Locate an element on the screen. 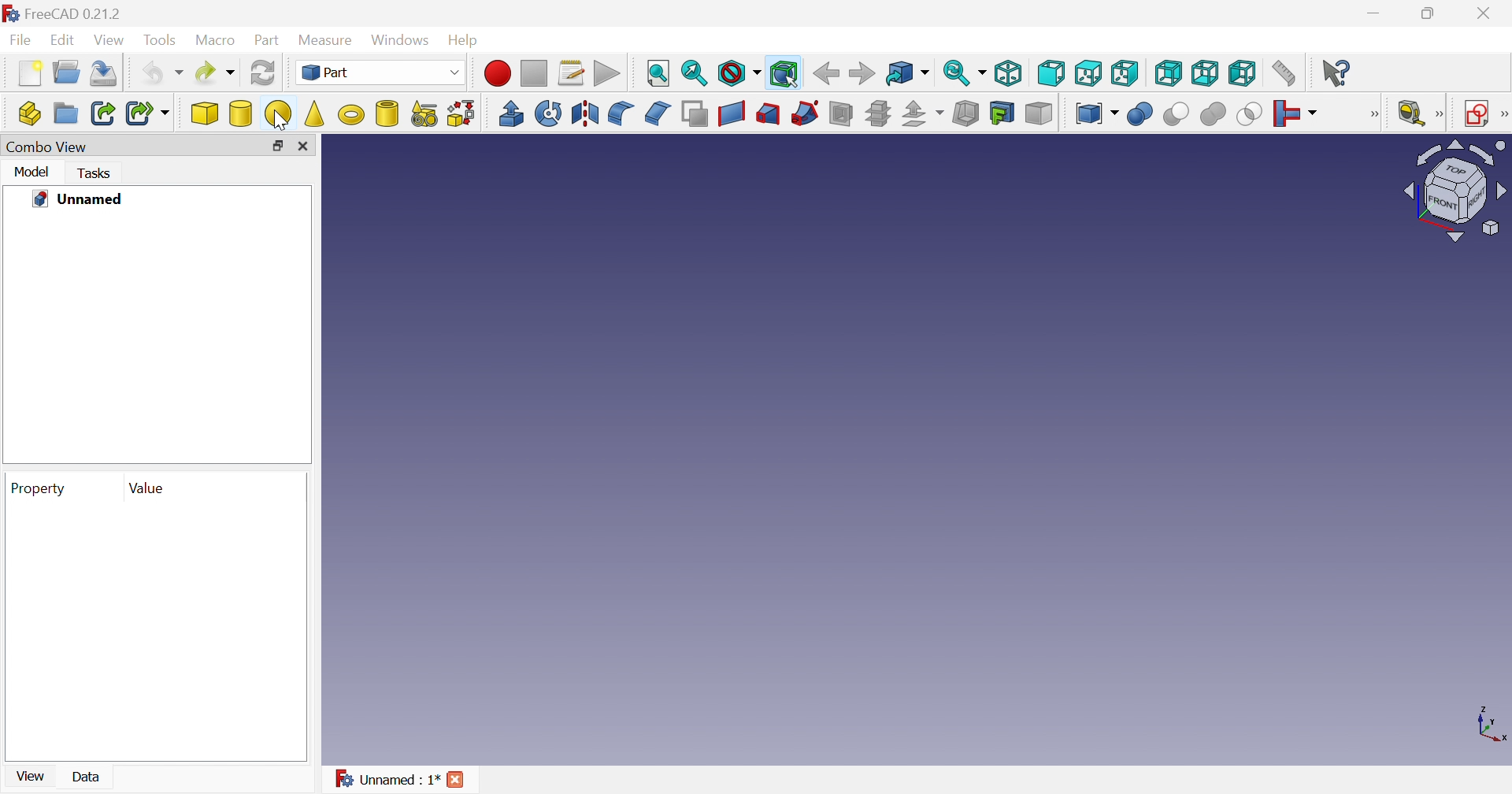  Execute macro is located at coordinates (609, 73).